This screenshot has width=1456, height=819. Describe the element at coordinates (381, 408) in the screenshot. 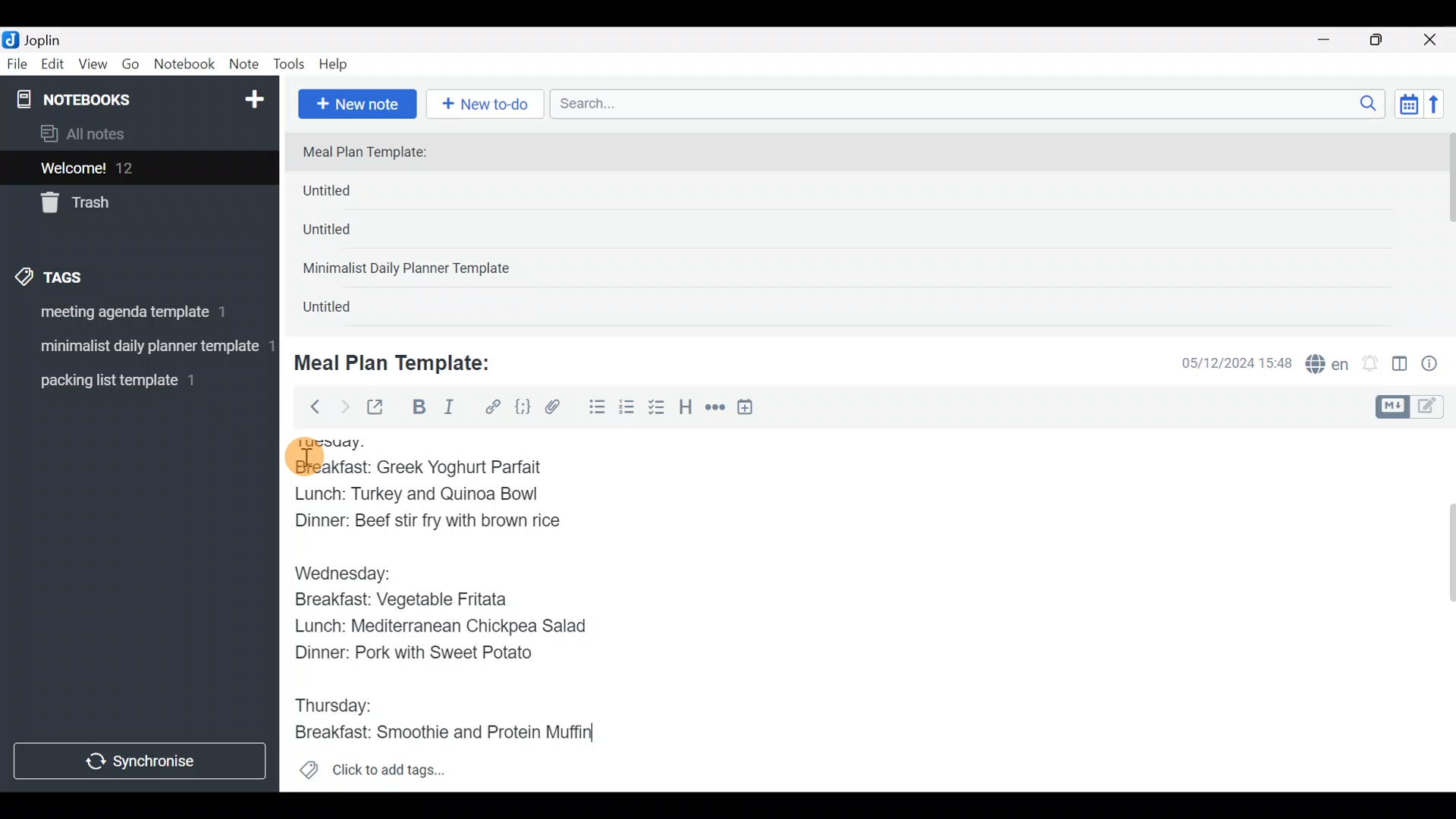

I see `Toggle external editing` at that location.